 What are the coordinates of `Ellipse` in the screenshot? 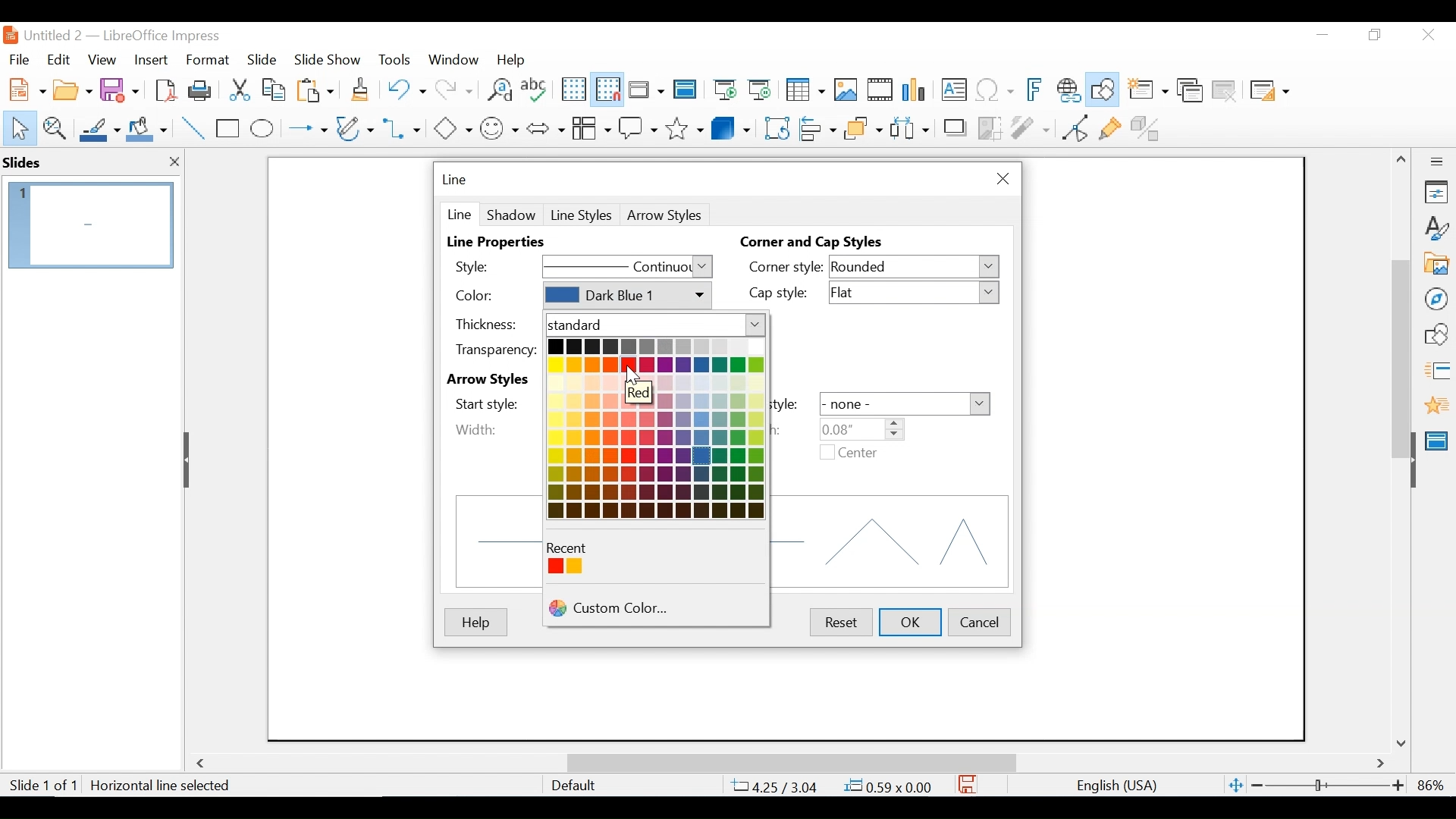 It's located at (262, 129).